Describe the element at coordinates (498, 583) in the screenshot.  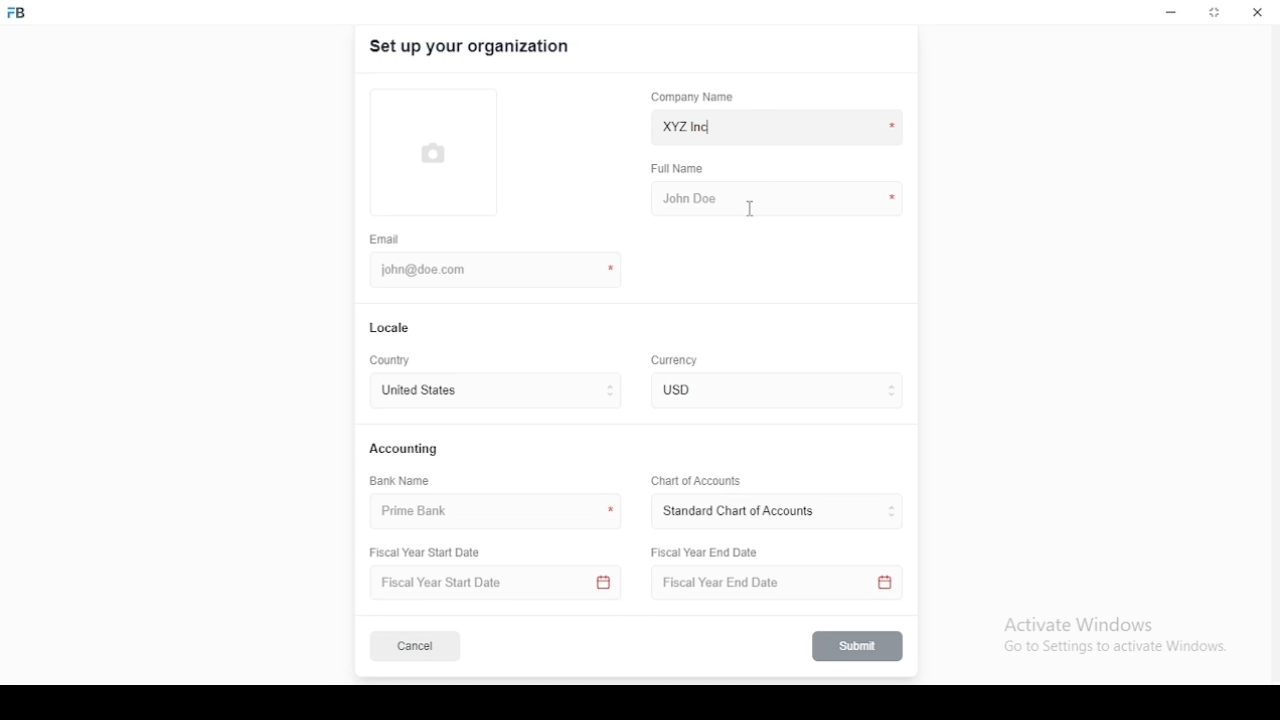
I see `Fiscal Year Start Date` at that location.